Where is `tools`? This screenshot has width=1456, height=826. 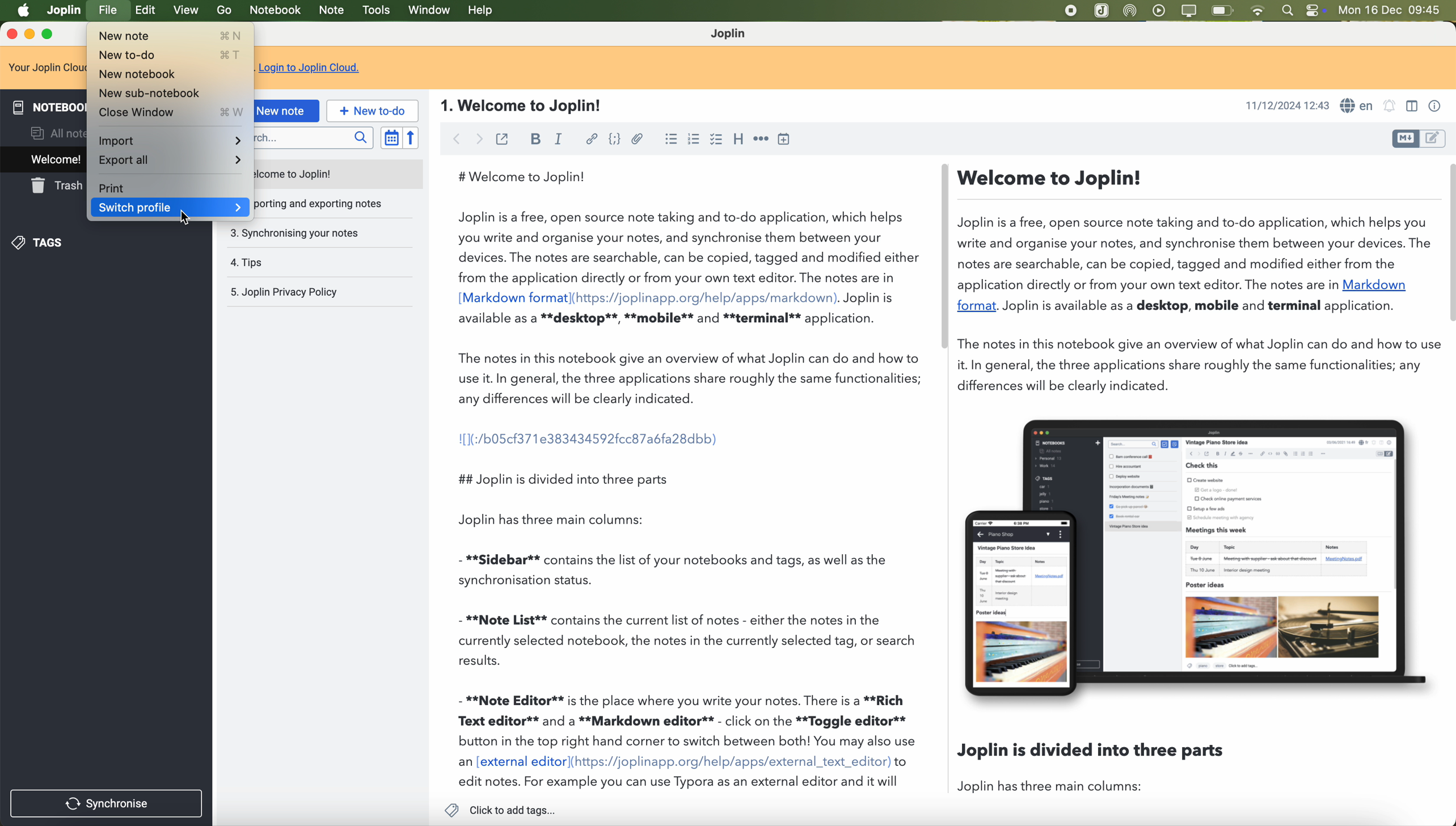 tools is located at coordinates (375, 11).